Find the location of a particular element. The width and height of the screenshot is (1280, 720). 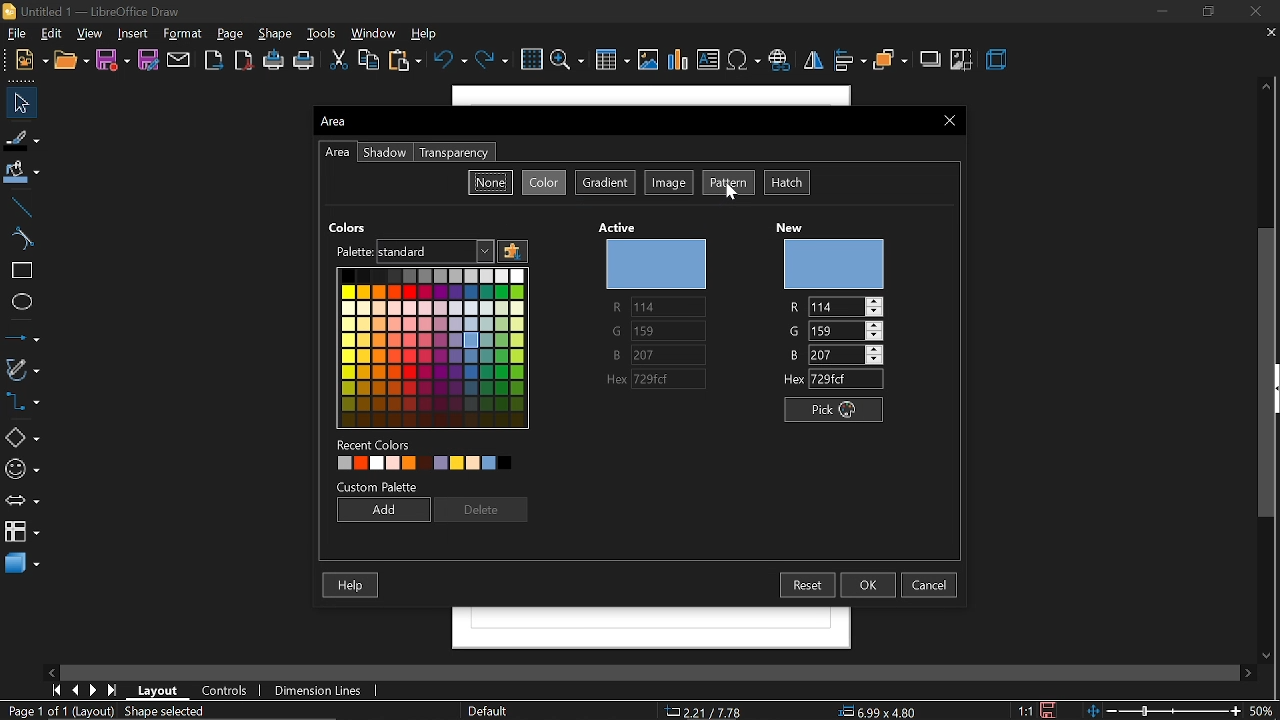

insert hyperlink is located at coordinates (780, 58).